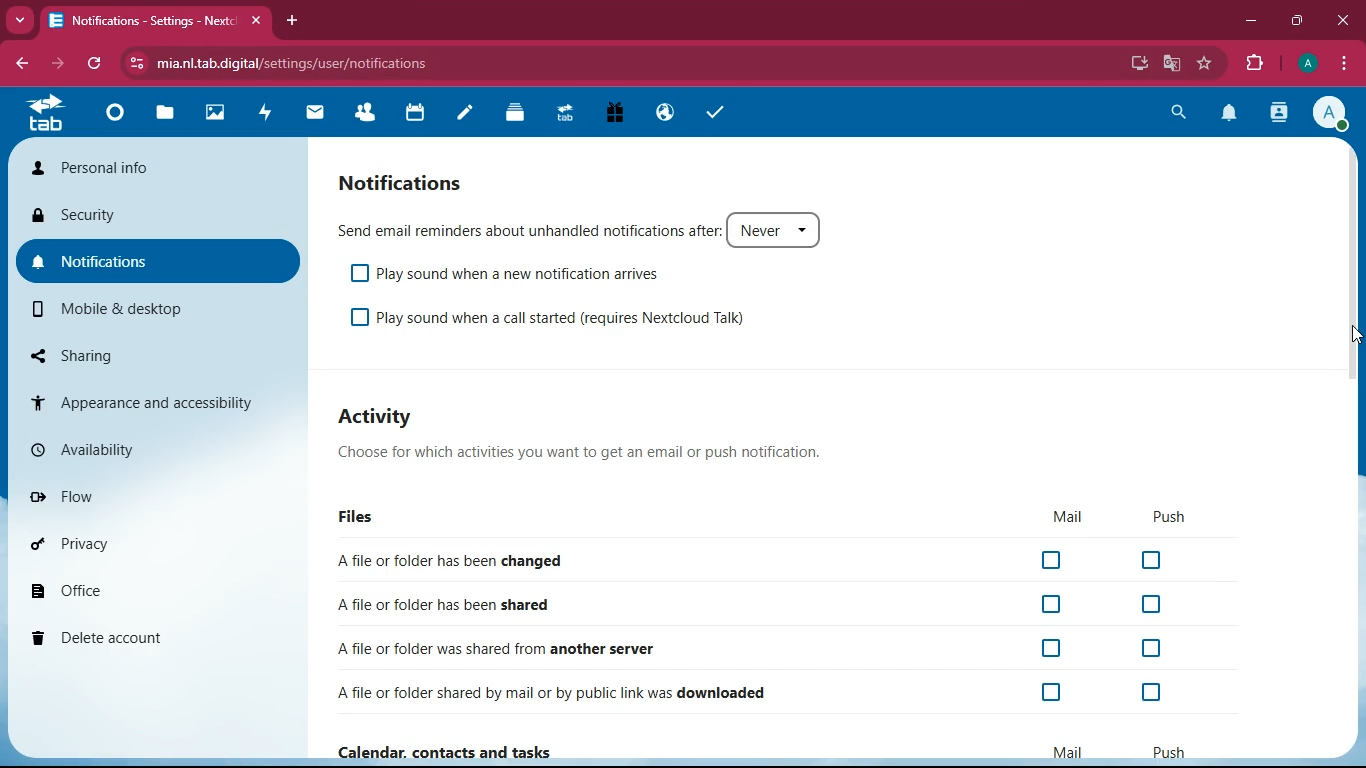 This screenshot has width=1366, height=768. Describe the element at coordinates (260, 21) in the screenshot. I see `close` at that location.